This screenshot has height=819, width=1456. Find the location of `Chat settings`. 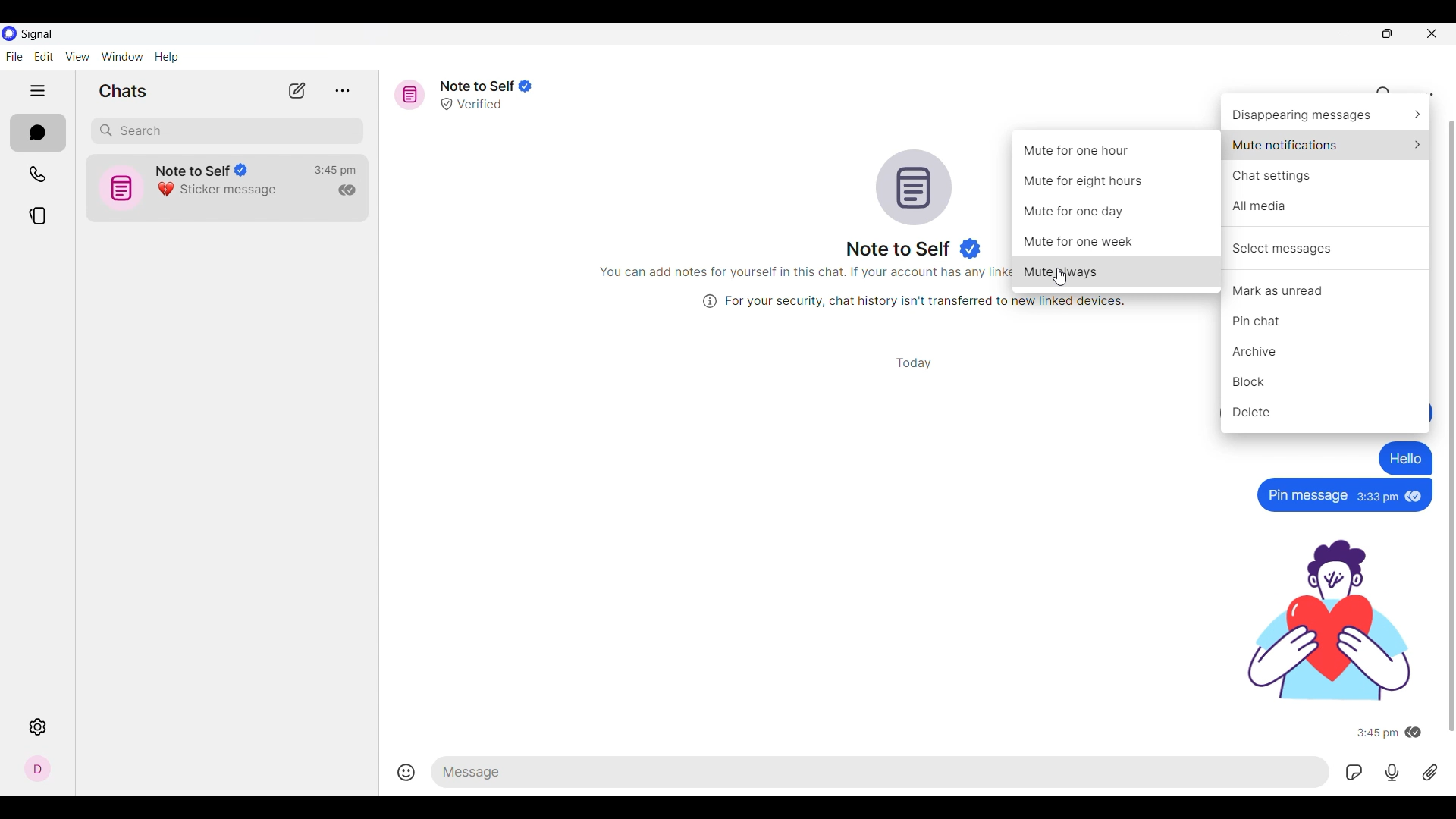

Chat settings is located at coordinates (1426, 94).